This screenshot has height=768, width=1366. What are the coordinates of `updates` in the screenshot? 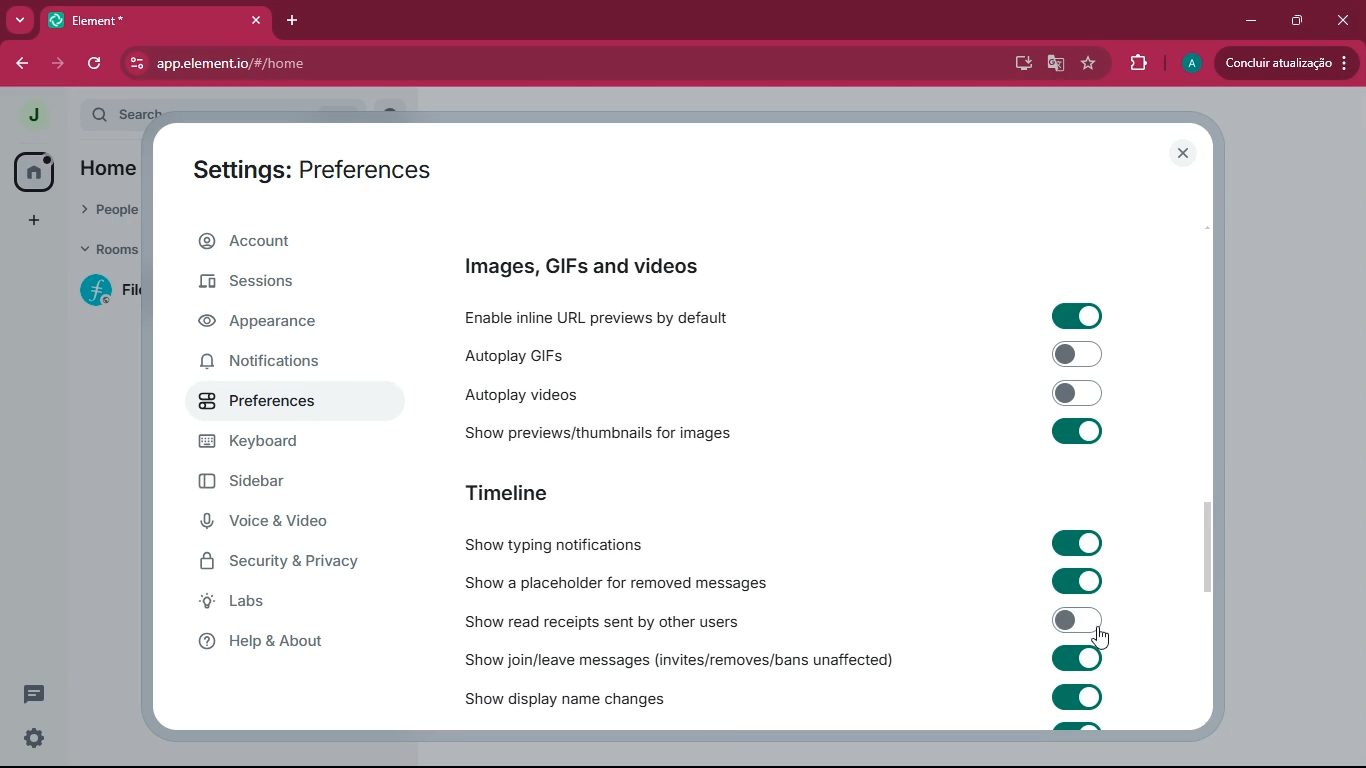 It's located at (1285, 64).